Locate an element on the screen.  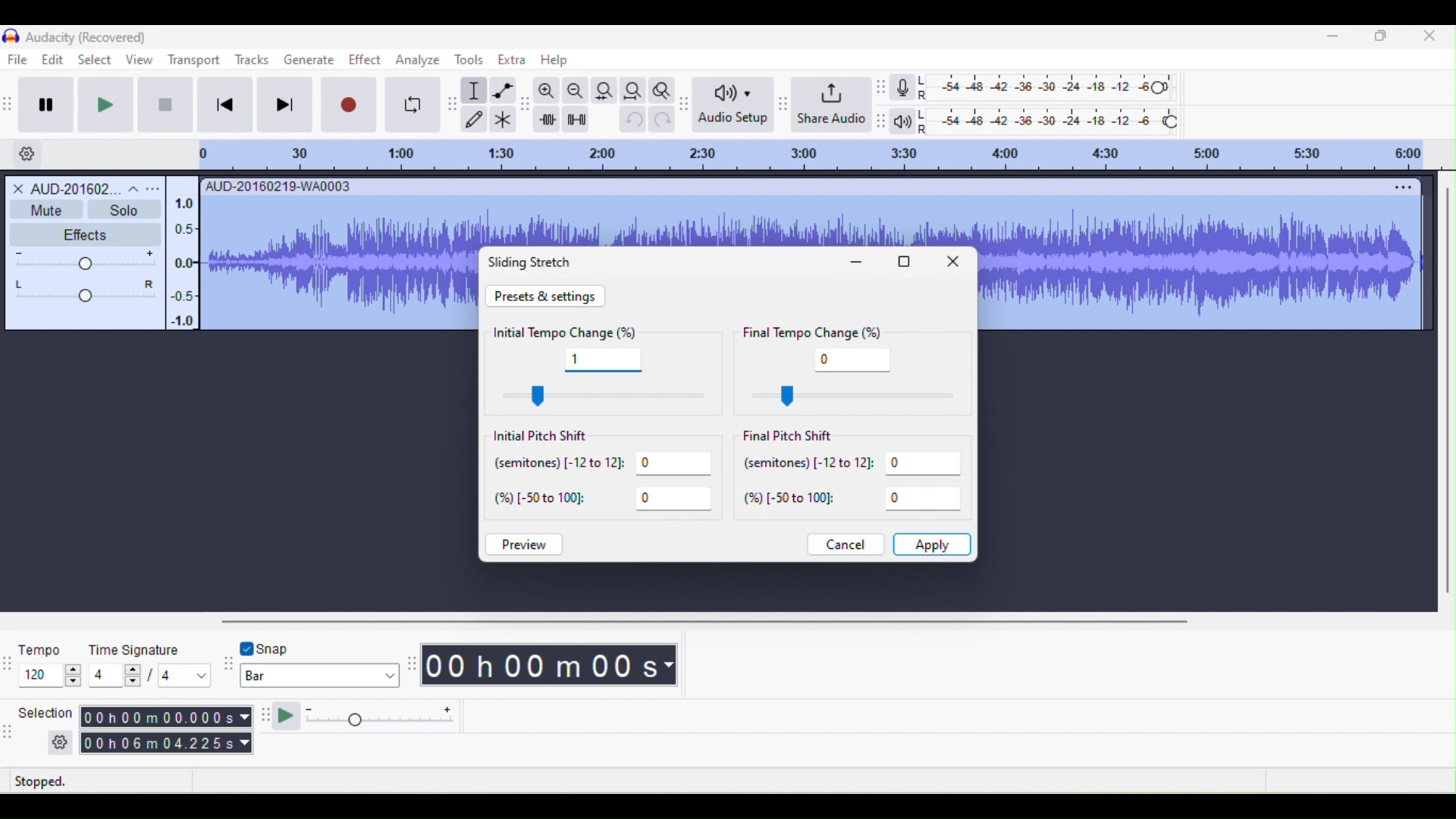
enable looping is located at coordinates (412, 105).